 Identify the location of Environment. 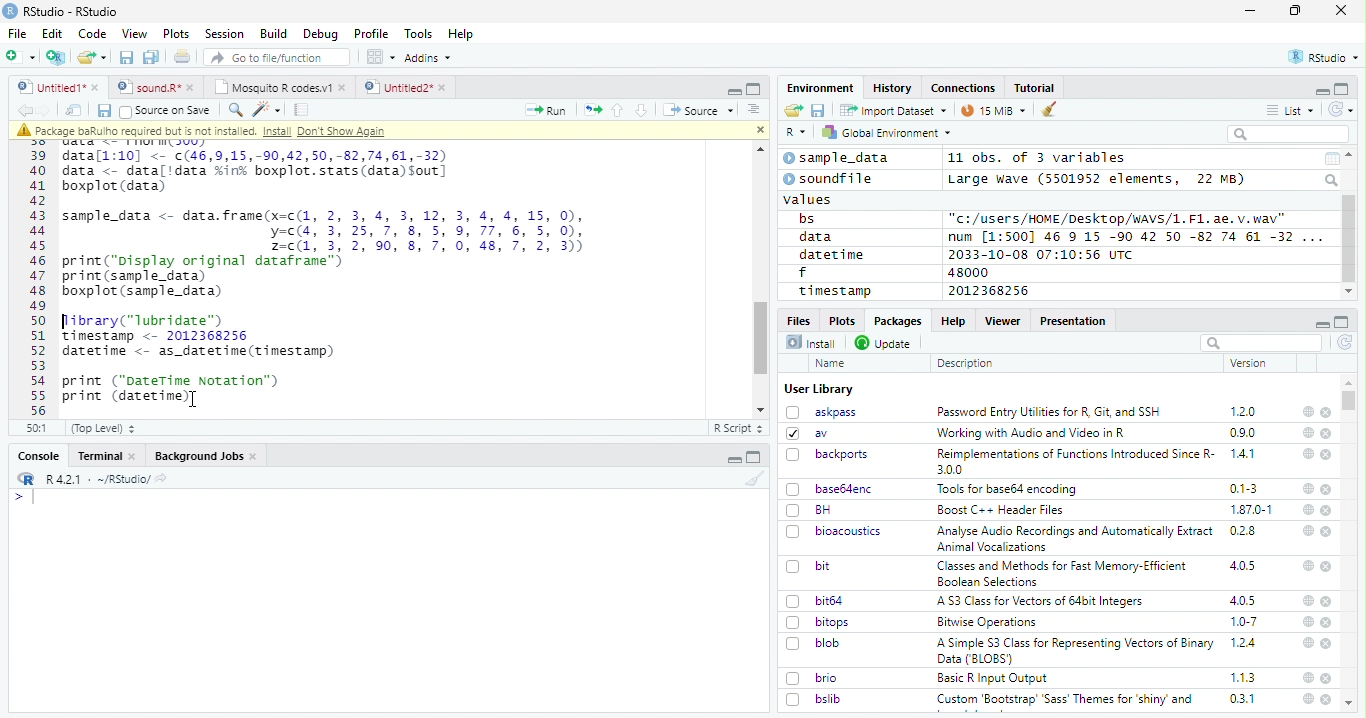
(821, 87).